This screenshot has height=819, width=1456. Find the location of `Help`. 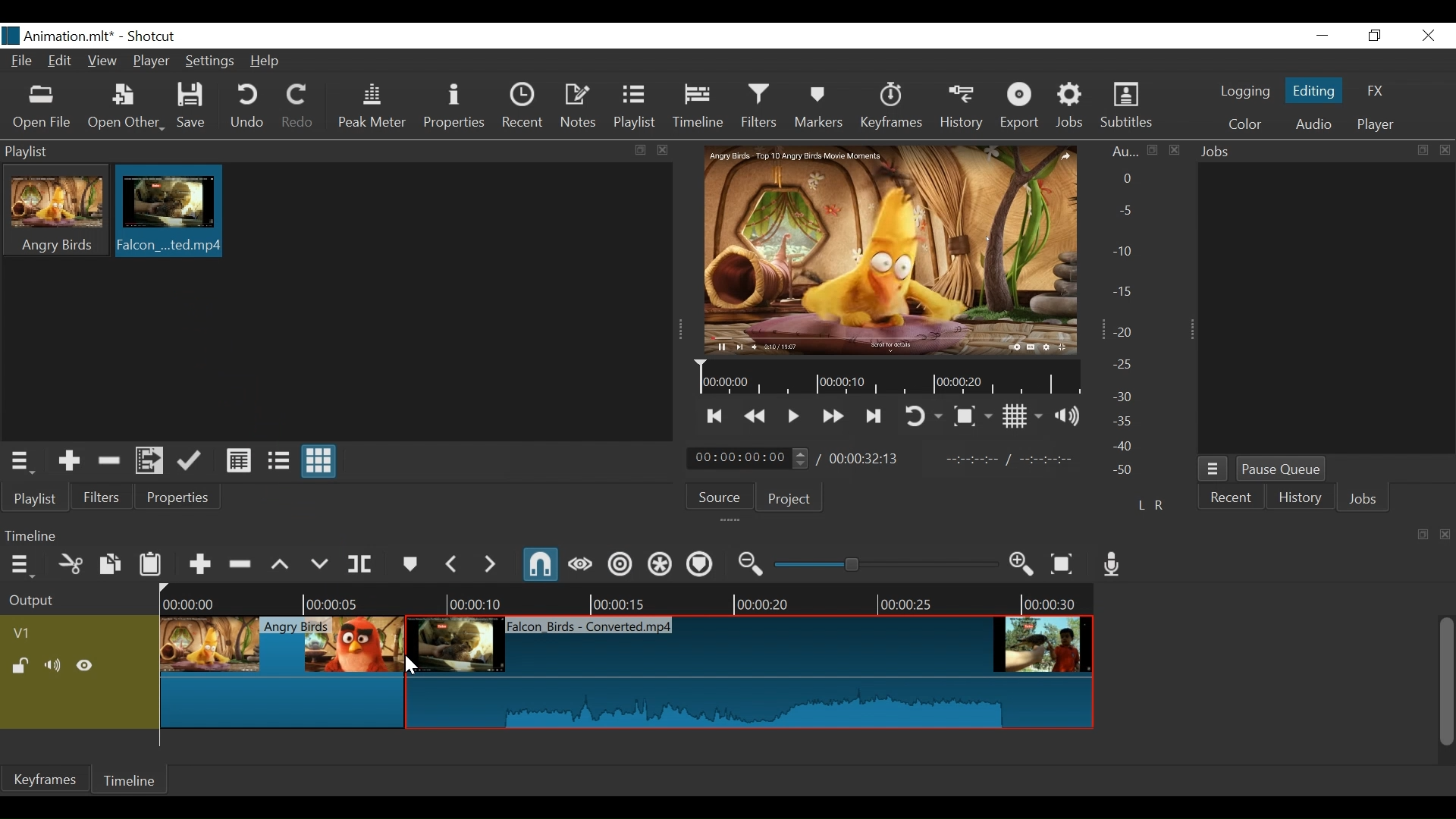

Help is located at coordinates (265, 61).